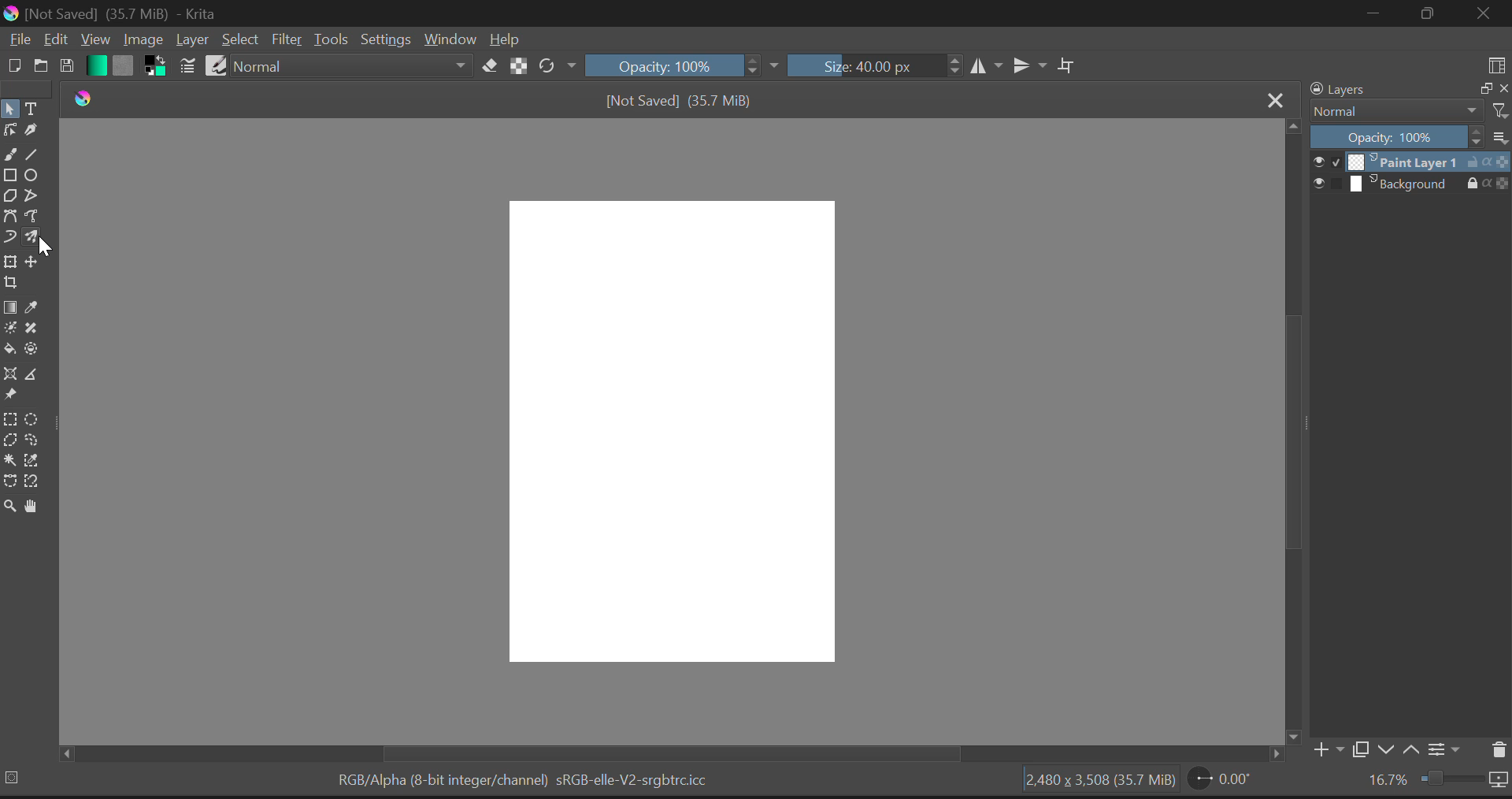 The height and width of the screenshot is (799, 1512). What do you see at coordinates (673, 433) in the screenshot?
I see `Blank Workspace` at bounding box center [673, 433].